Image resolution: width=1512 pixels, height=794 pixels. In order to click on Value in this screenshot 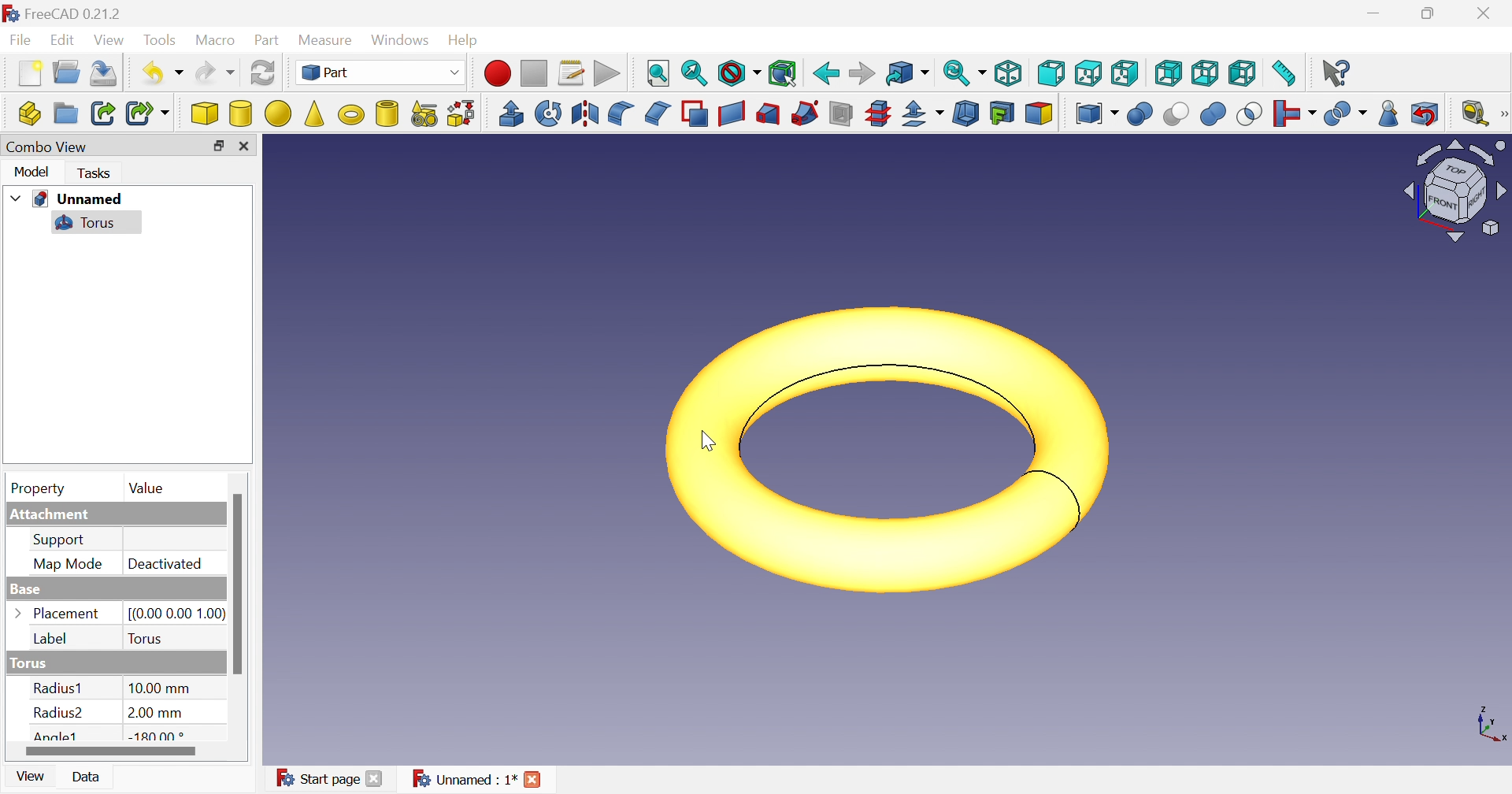, I will do `click(146, 489)`.